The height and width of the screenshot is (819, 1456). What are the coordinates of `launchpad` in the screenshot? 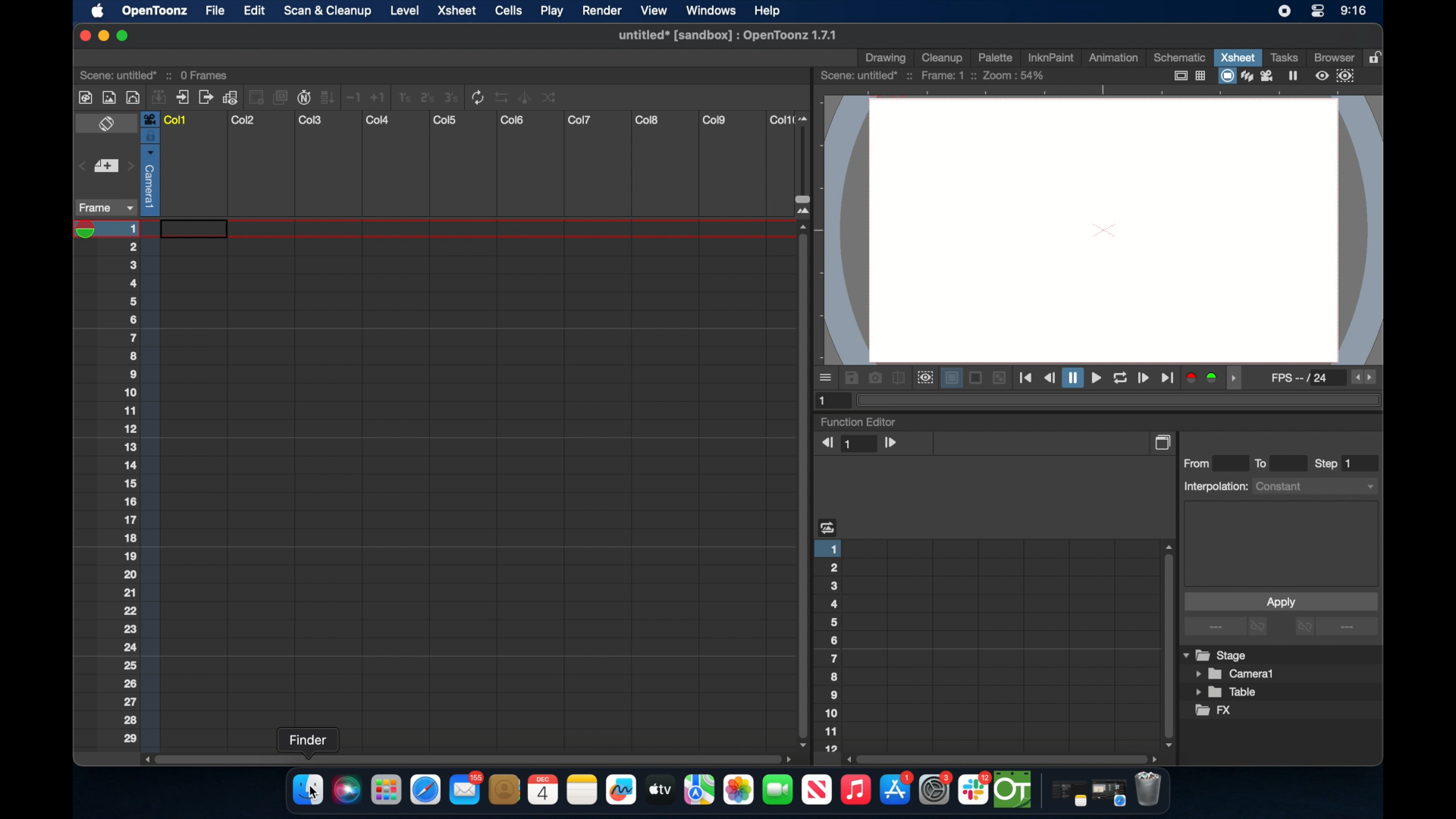 It's located at (385, 792).